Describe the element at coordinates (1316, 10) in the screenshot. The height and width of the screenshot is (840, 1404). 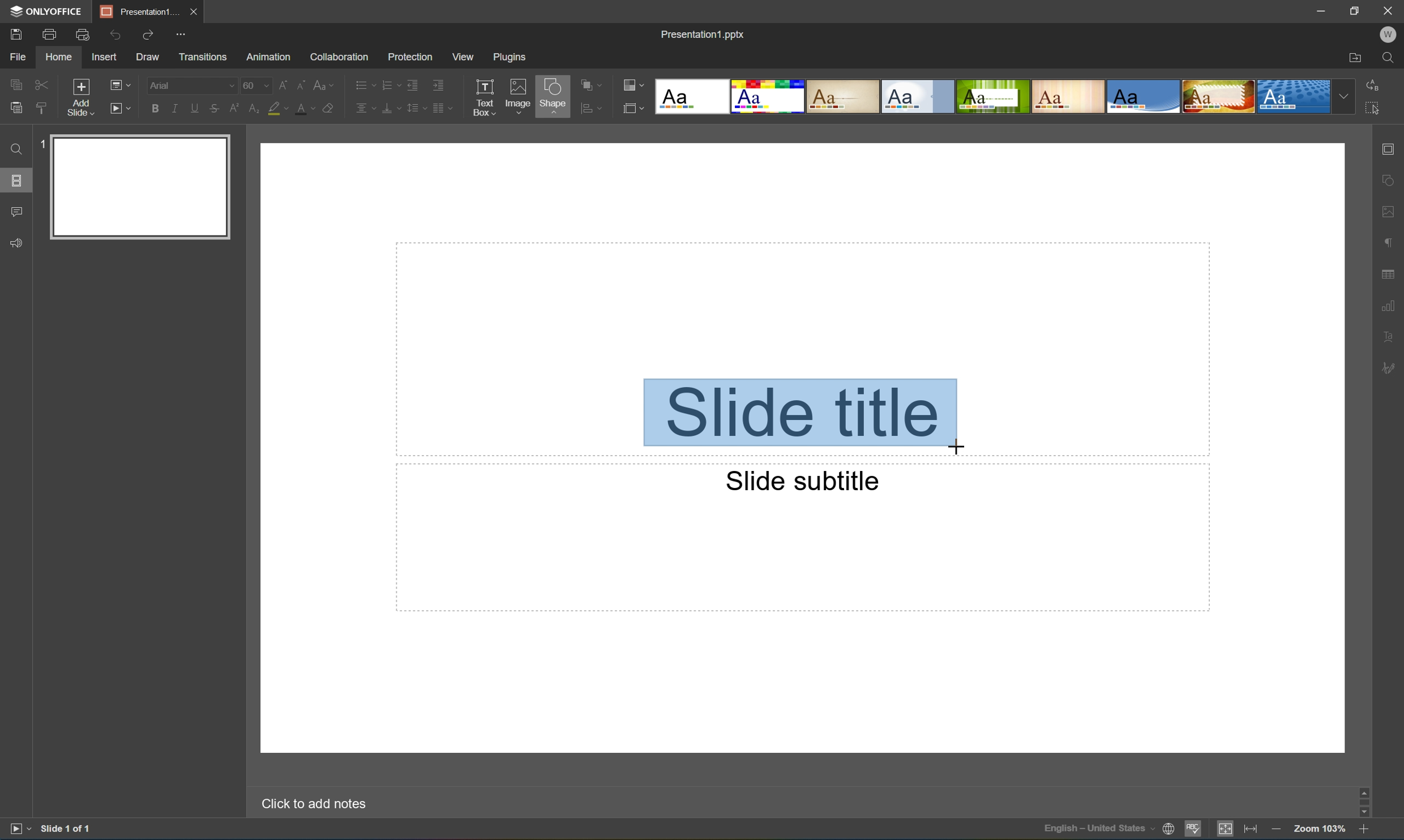
I see `Minimize` at that location.